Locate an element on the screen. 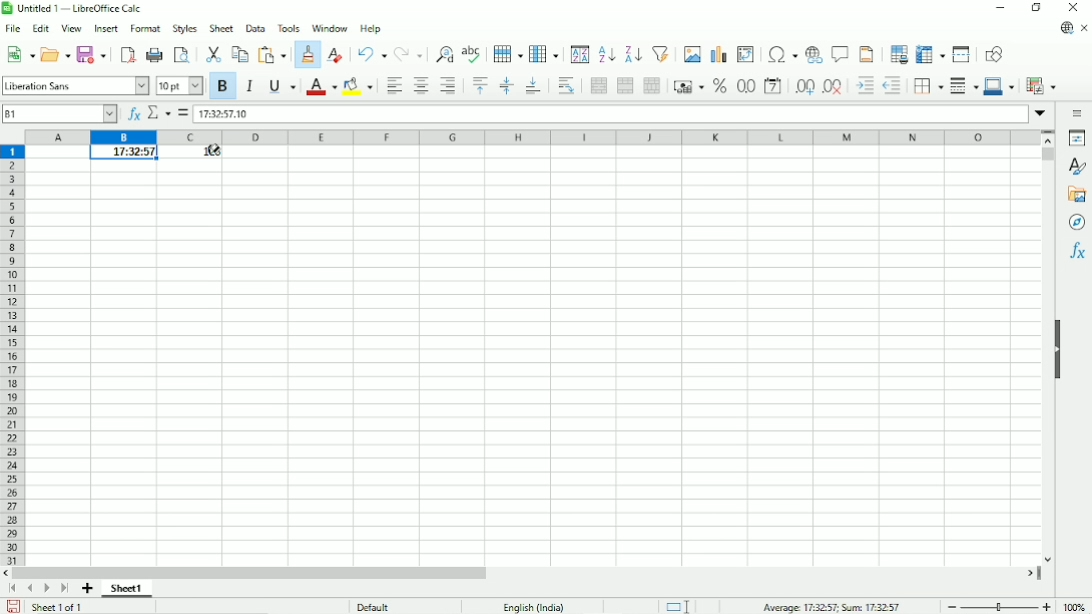 The width and height of the screenshot is (1092, 614). Headers and footers is located at coordinates (867, 54).